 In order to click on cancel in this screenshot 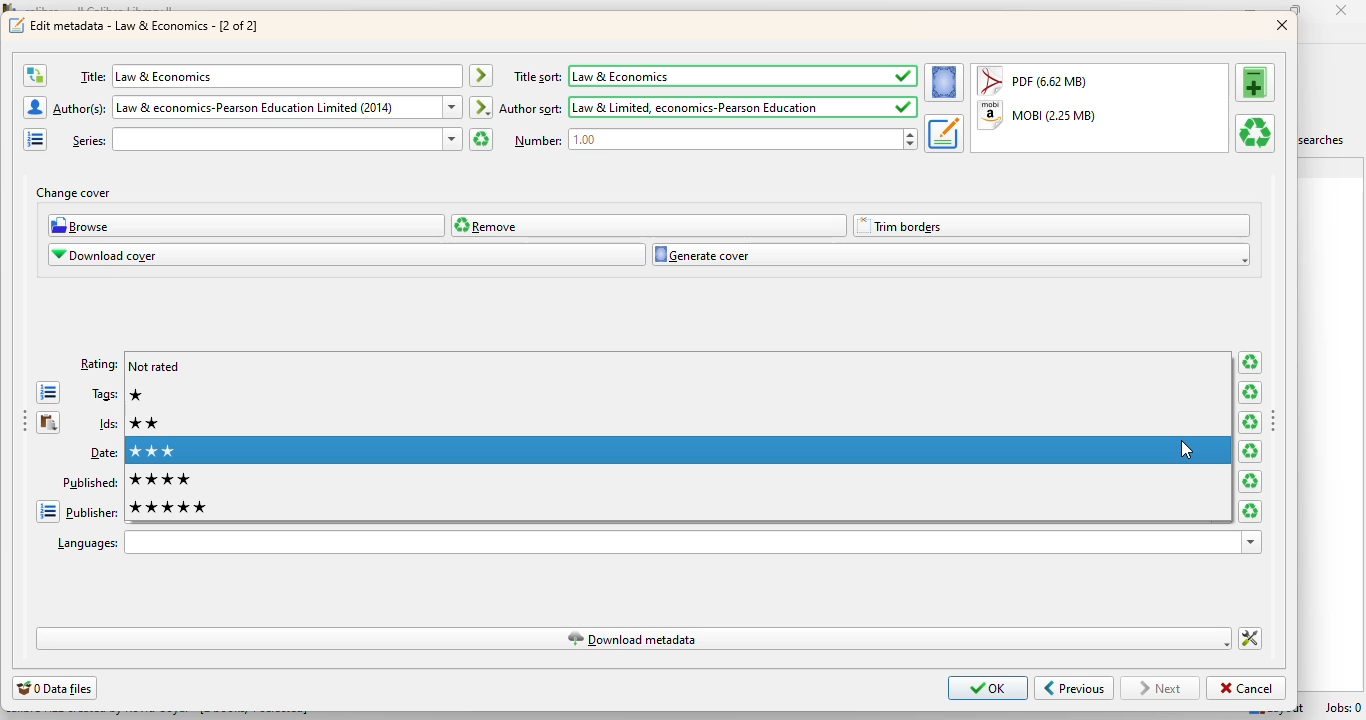, I will do `click(1245, 688)`.